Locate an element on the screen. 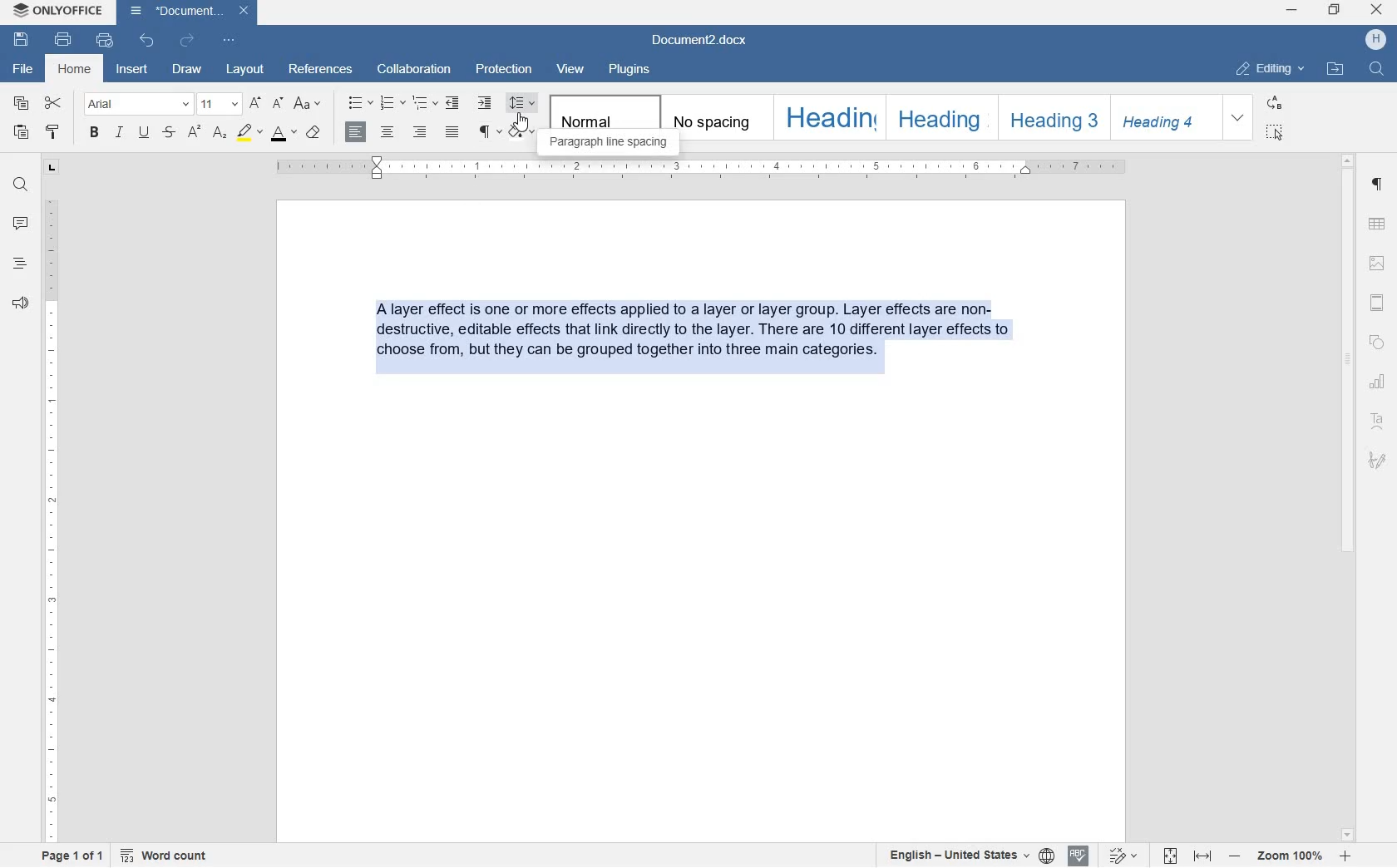 Image resolution: width=1397 pixels, height=868 pixels. align center is located at coordinates (386, 132).